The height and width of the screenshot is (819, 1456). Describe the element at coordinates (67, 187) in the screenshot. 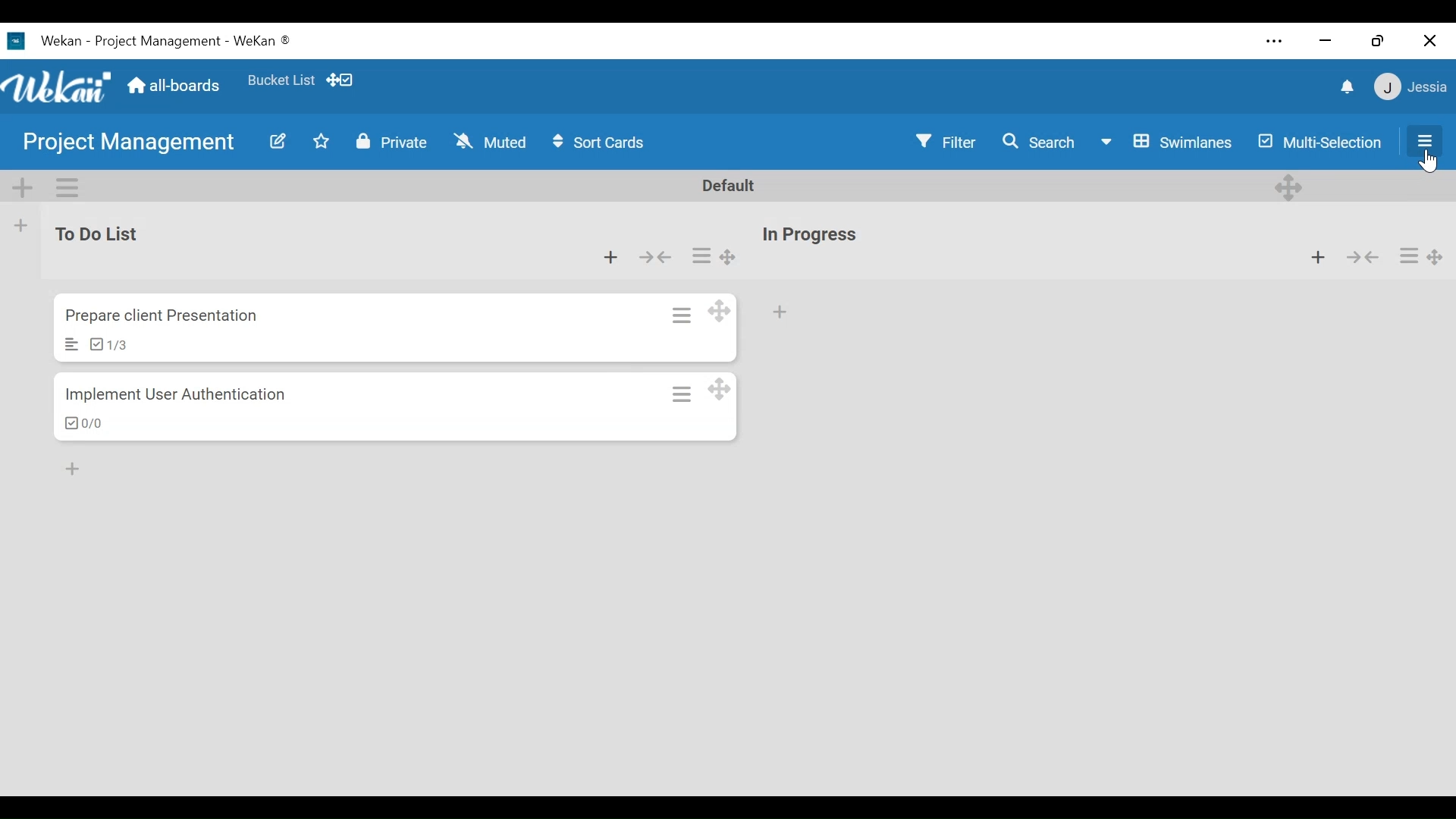

I see `Swimlane actions` at that location.